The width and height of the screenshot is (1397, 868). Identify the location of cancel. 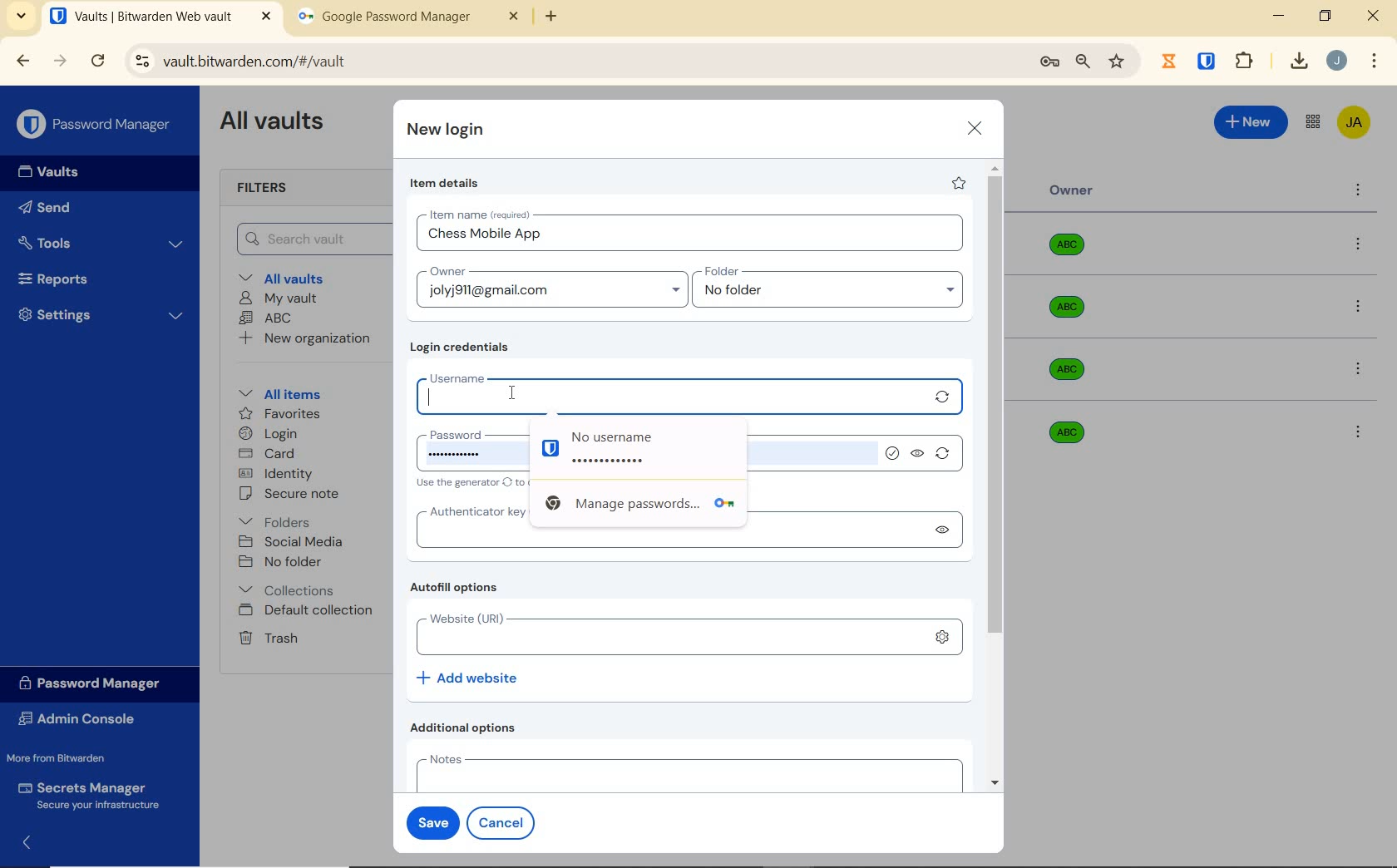
(504, 822).